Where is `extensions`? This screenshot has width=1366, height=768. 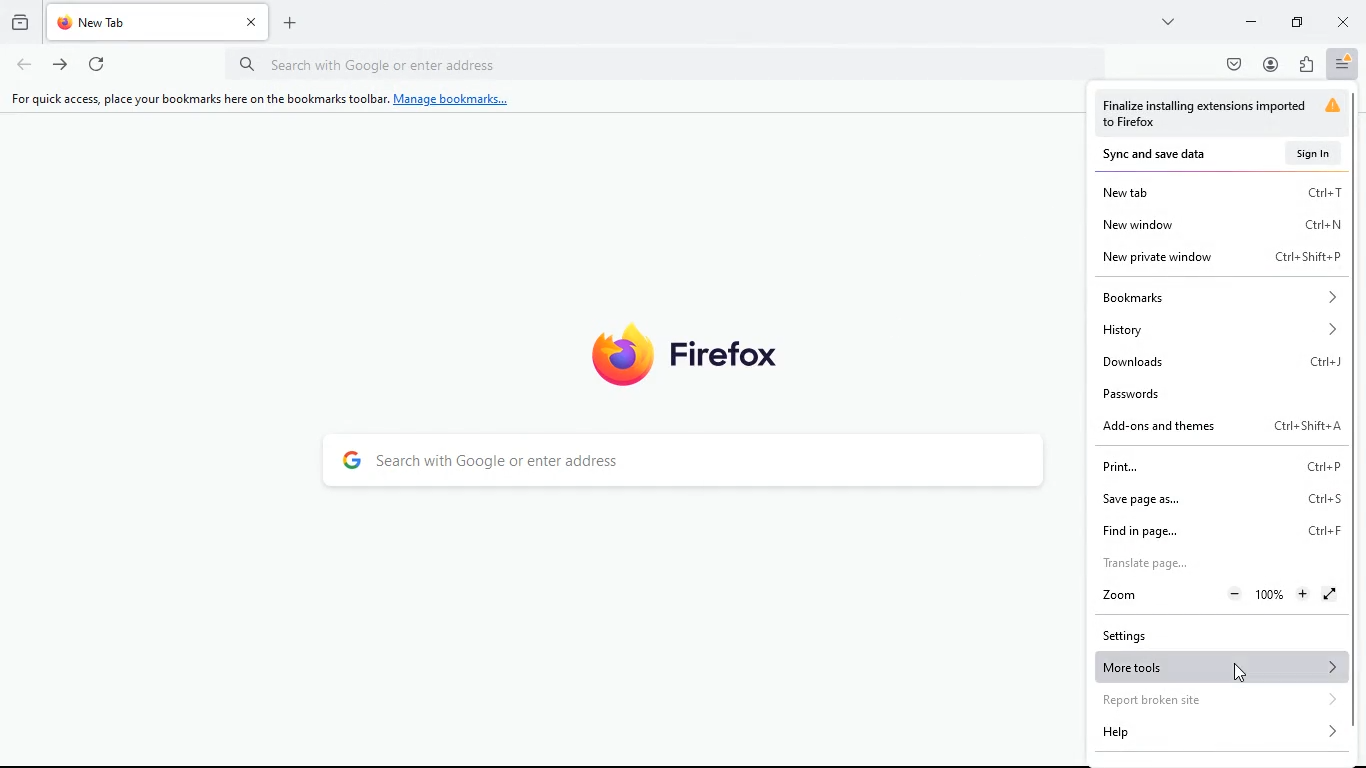 extensions is located at coordinates (1307, 65).